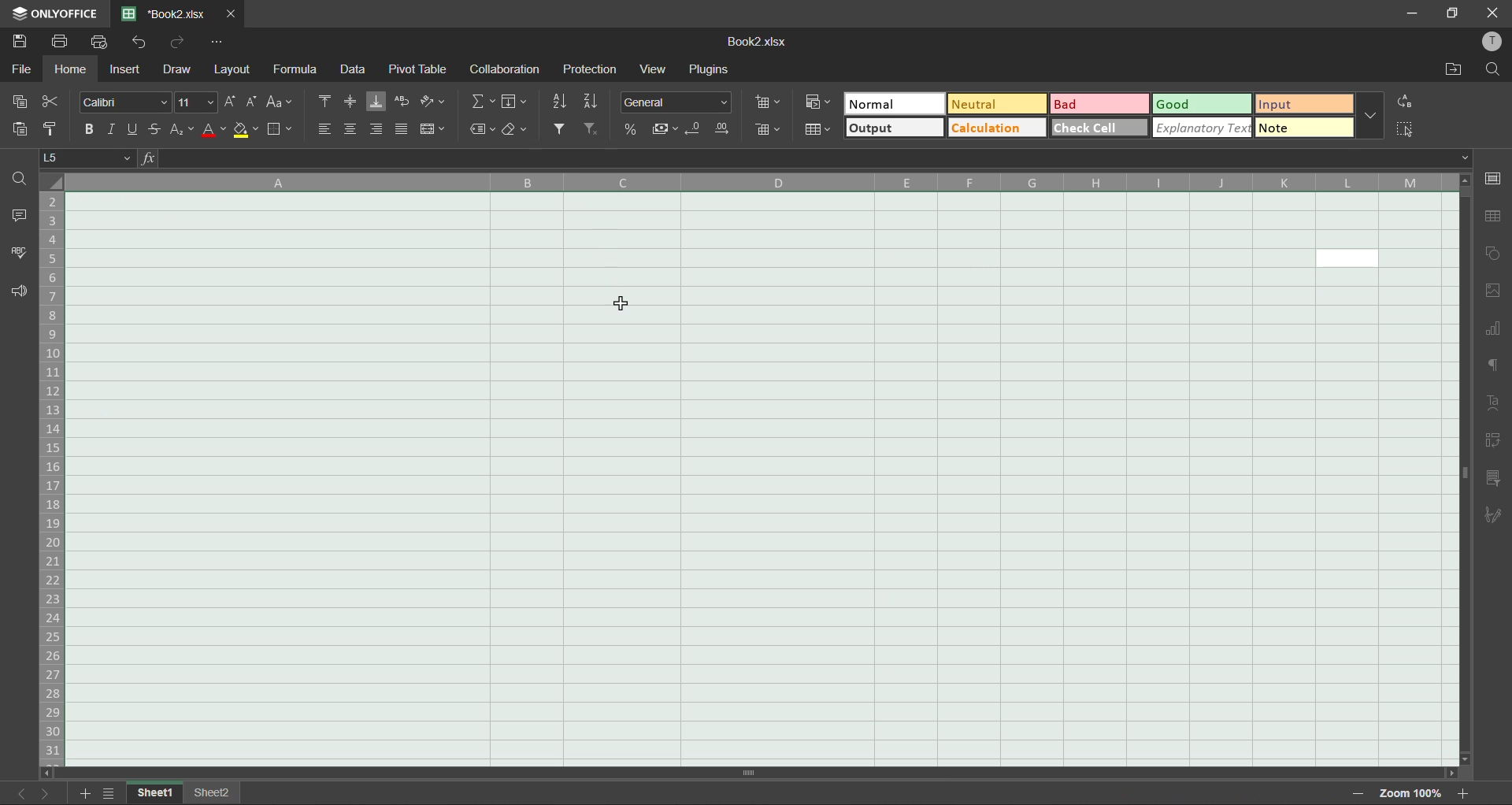 The height and width of the screenshot is (805, 1512). Describe the element at coordinates (1406, 129) in the screenshot. I see `select all` at that location.